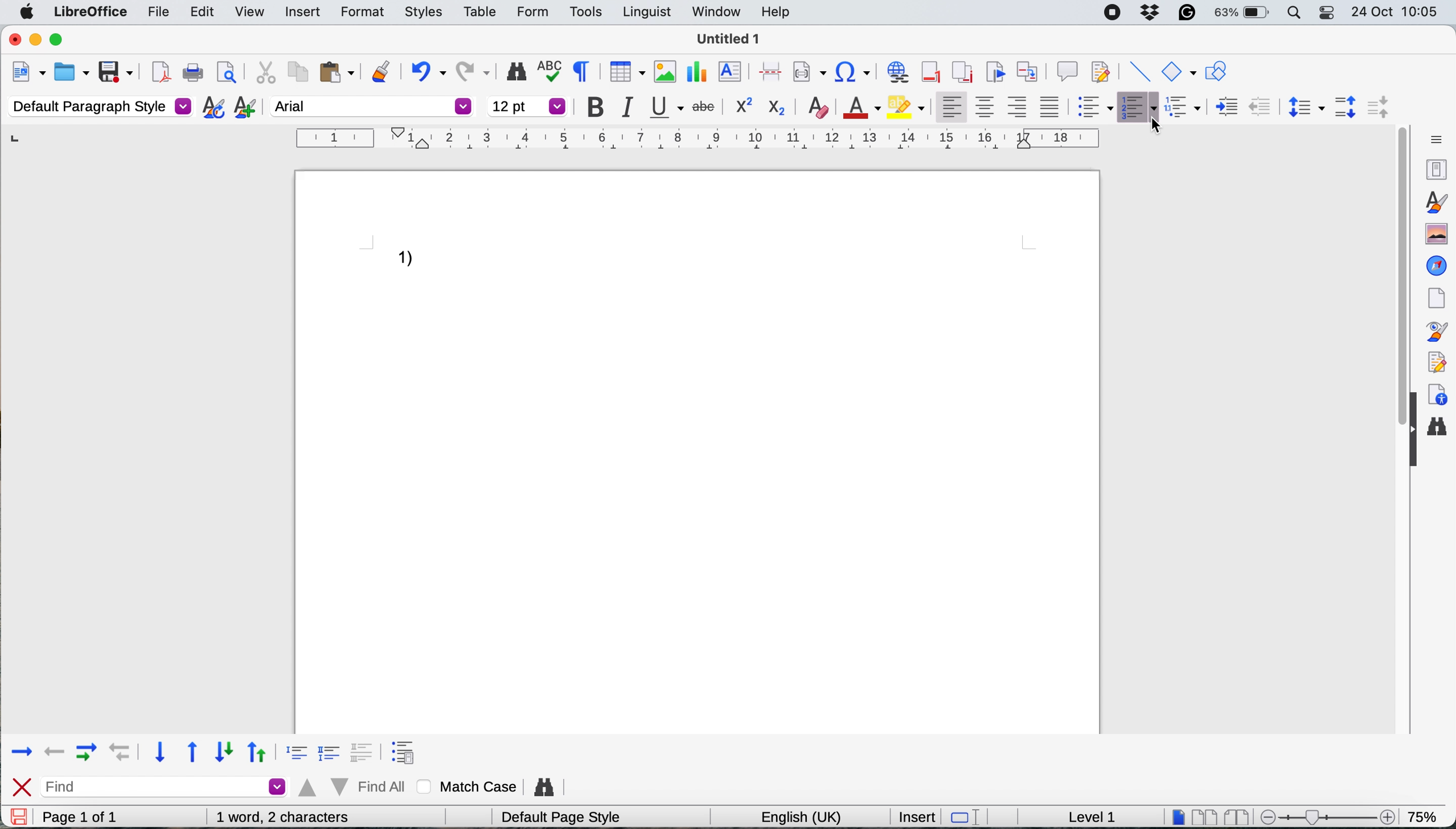  What do you see at coordinates (1433, 331) in the screenshot?
I see `style inspector` at bounding box center [1433, 331].